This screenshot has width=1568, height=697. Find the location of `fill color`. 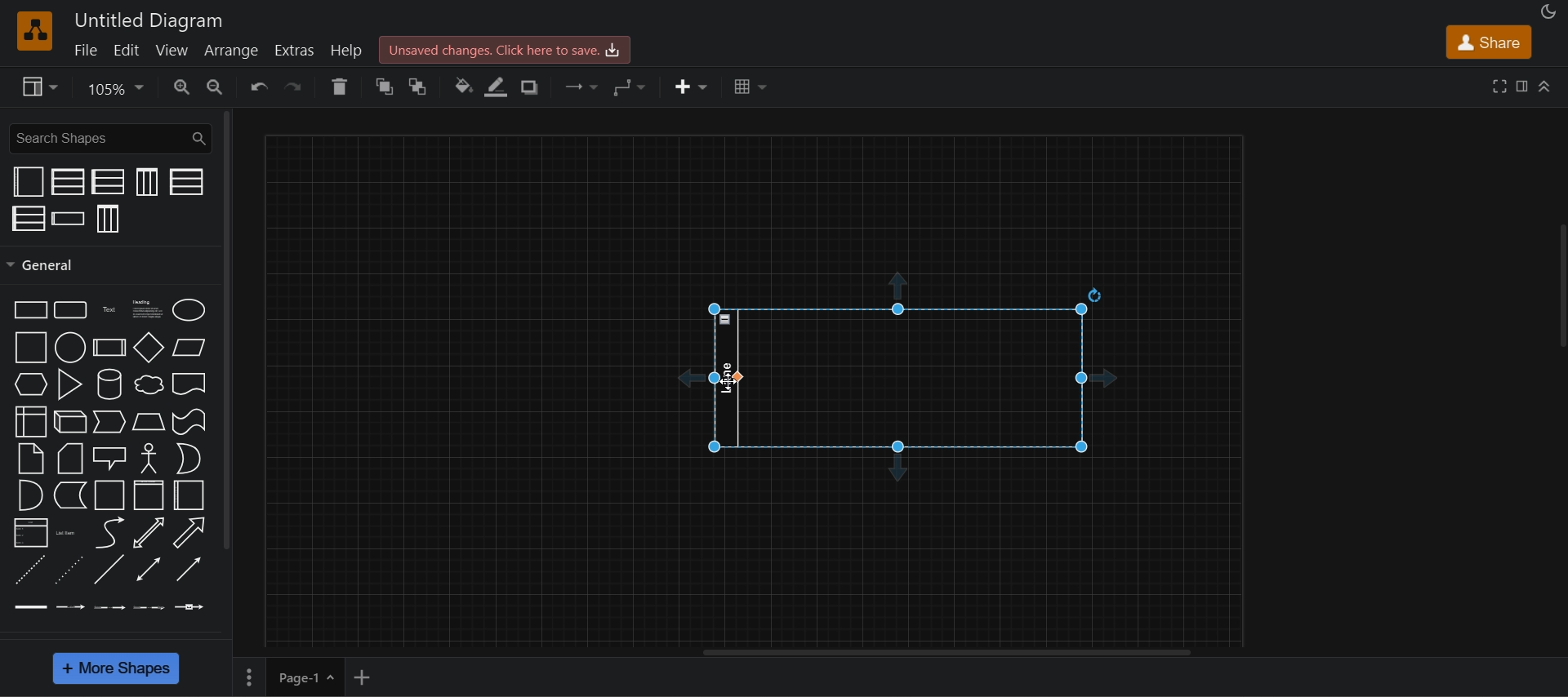

fill color is located at coordinates (461, 85).